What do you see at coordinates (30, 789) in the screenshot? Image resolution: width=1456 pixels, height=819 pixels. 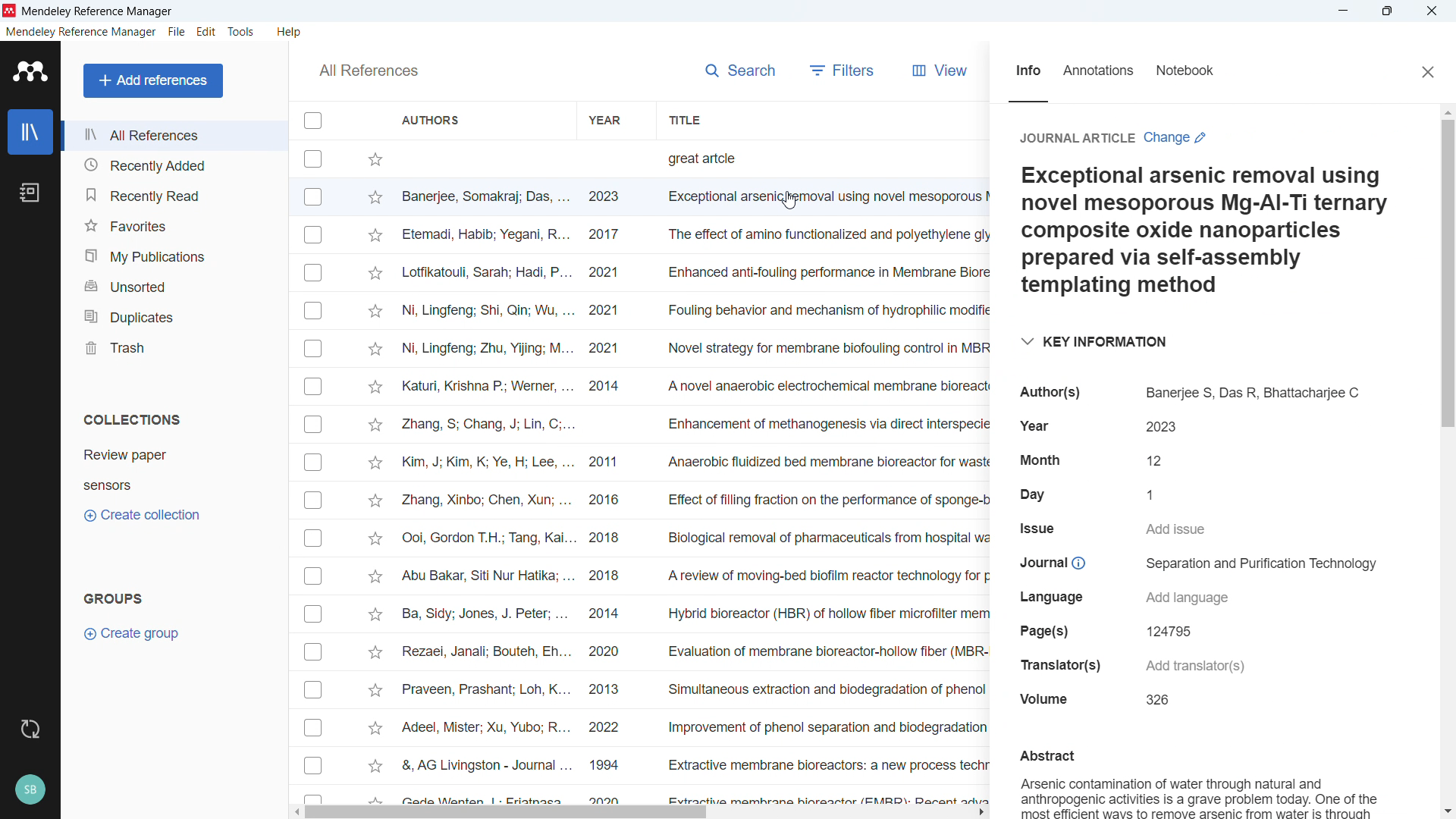 I see `` at bounding box center [30, 789].